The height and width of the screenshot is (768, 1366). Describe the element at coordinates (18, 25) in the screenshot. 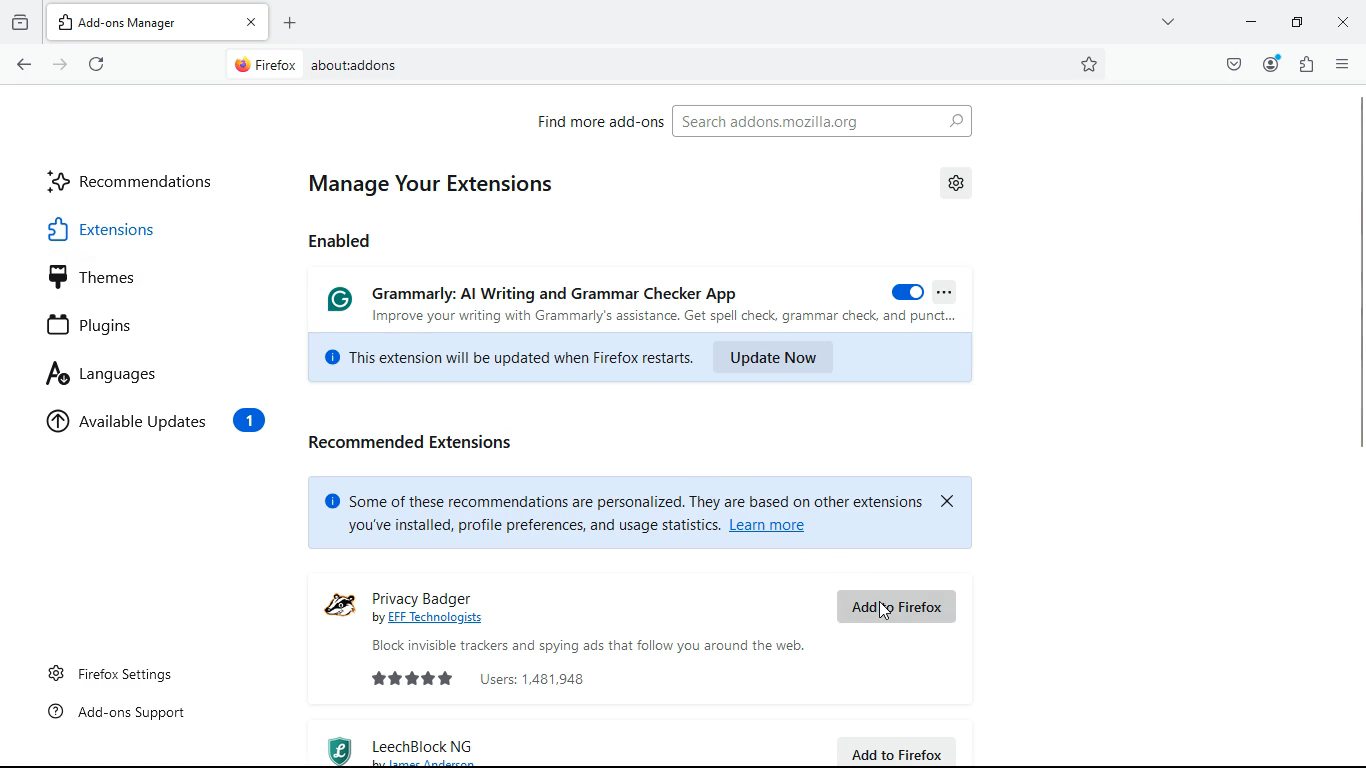

I see `archive` at that location.